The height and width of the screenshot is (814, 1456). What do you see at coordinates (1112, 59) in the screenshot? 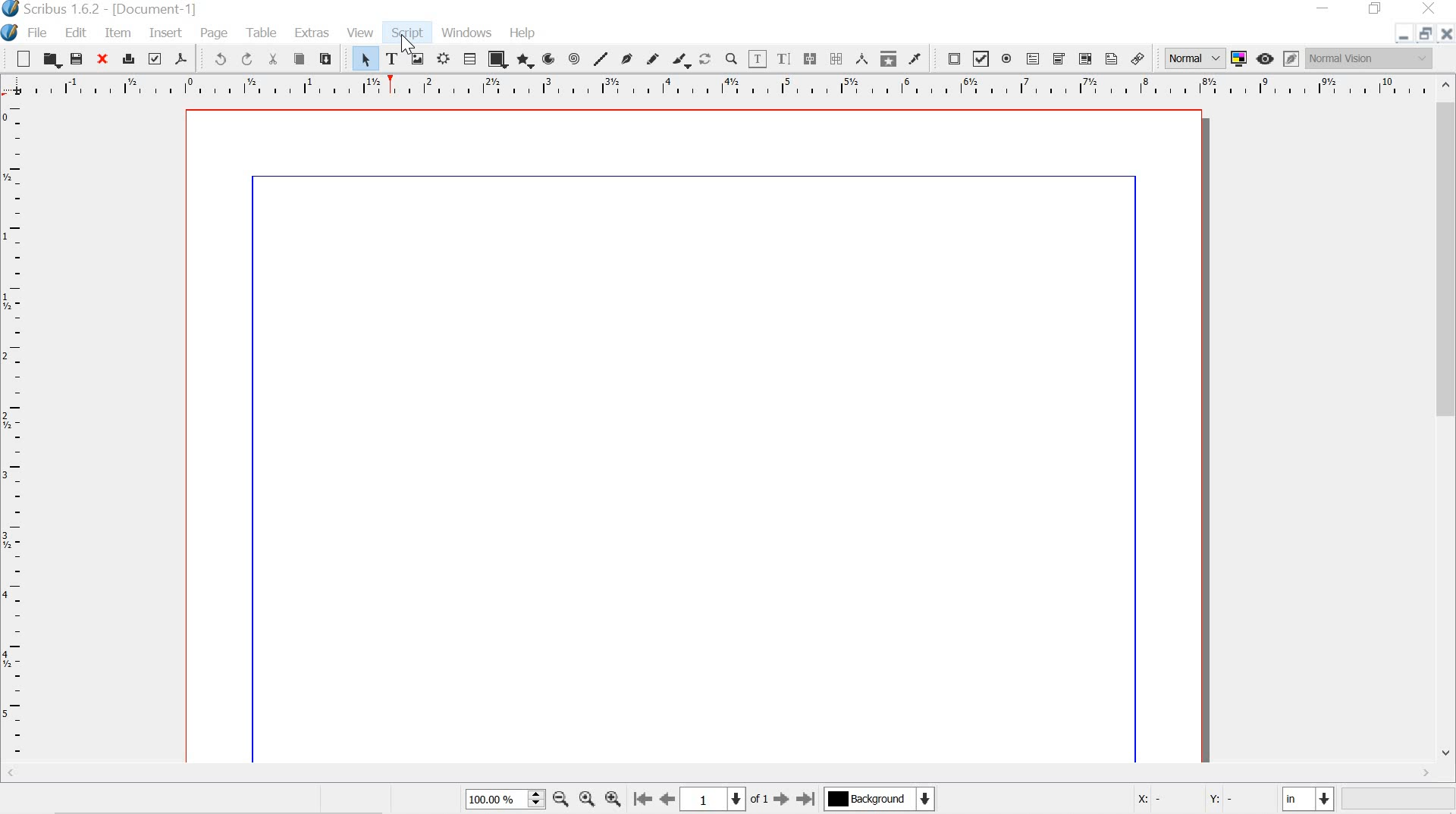
I see `text annotation` at bounding box center [1112, 59].